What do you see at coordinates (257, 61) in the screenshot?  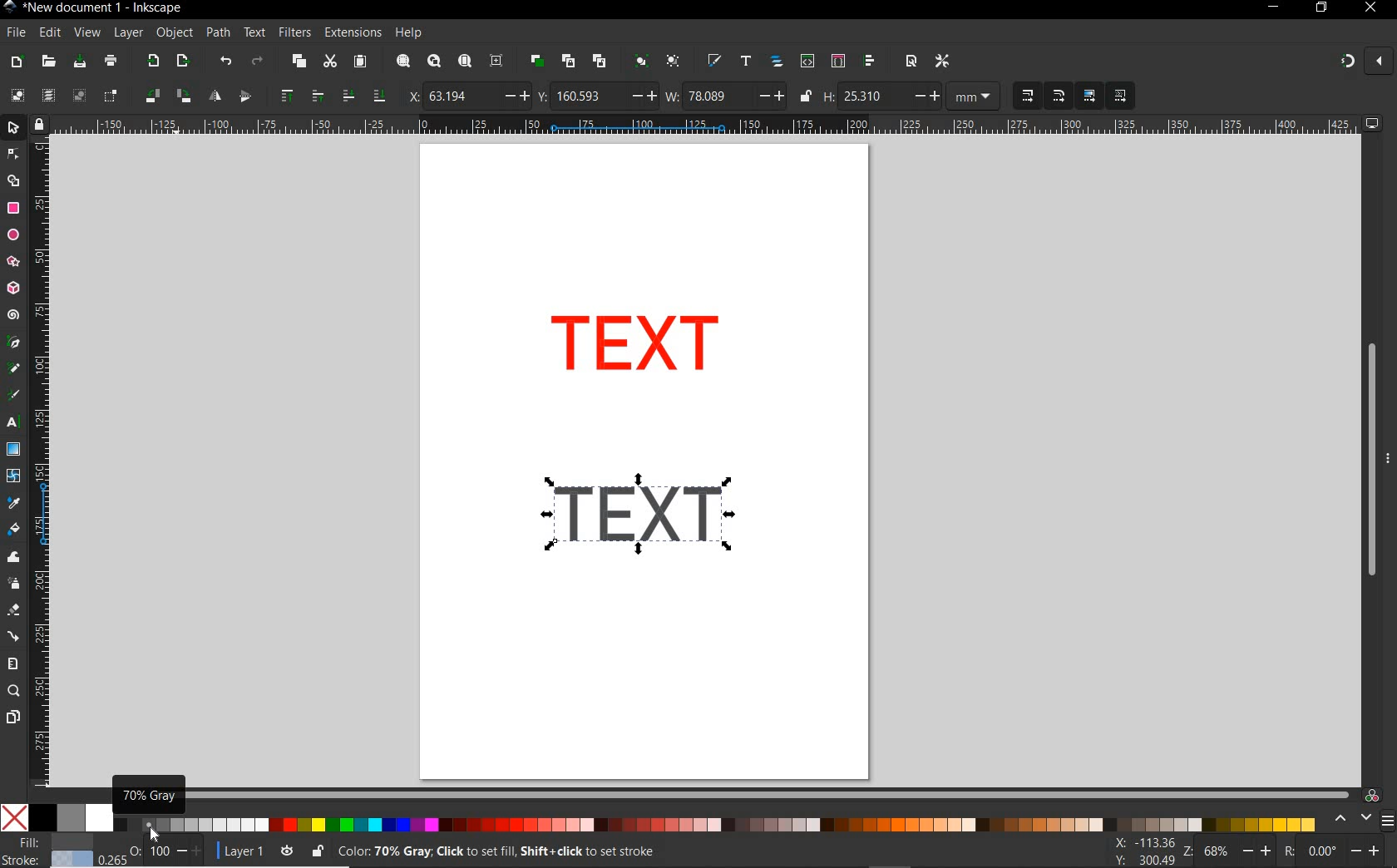 I see `redo` at bounding box center [257, 61].